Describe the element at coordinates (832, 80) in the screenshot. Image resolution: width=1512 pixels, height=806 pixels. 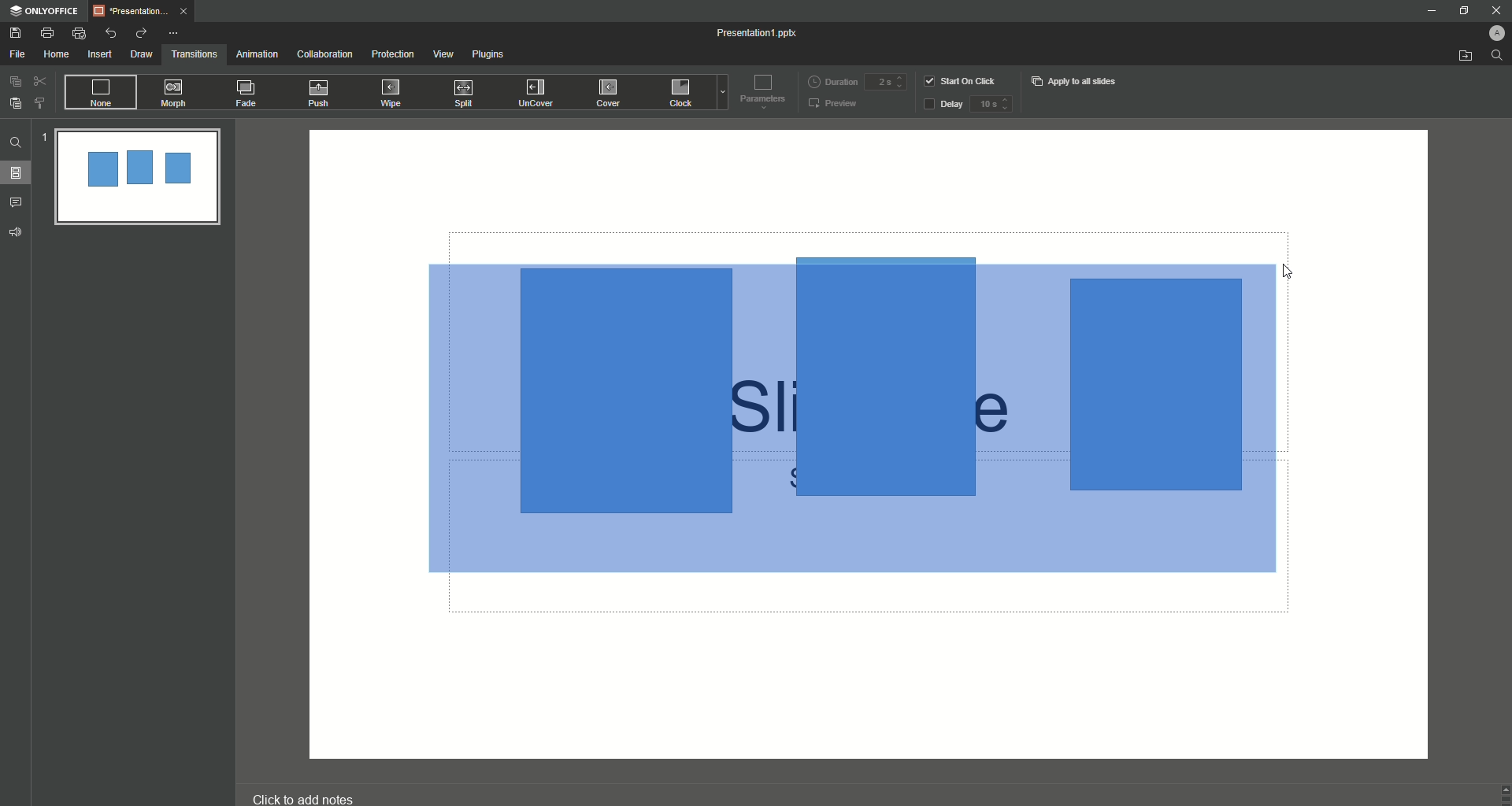
I see `Duration` at that location.